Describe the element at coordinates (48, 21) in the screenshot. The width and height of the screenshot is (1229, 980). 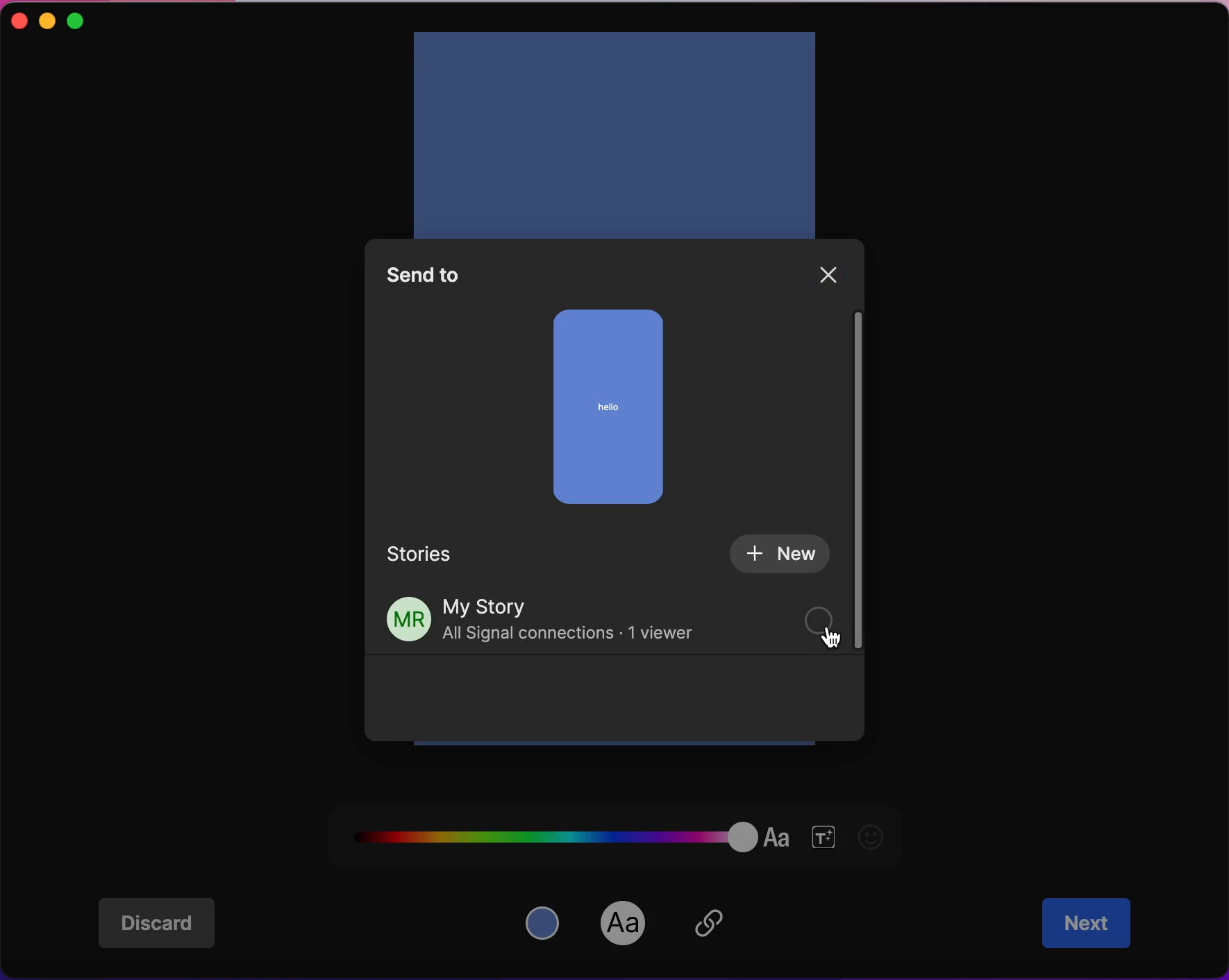
I see `minimize` at that location.